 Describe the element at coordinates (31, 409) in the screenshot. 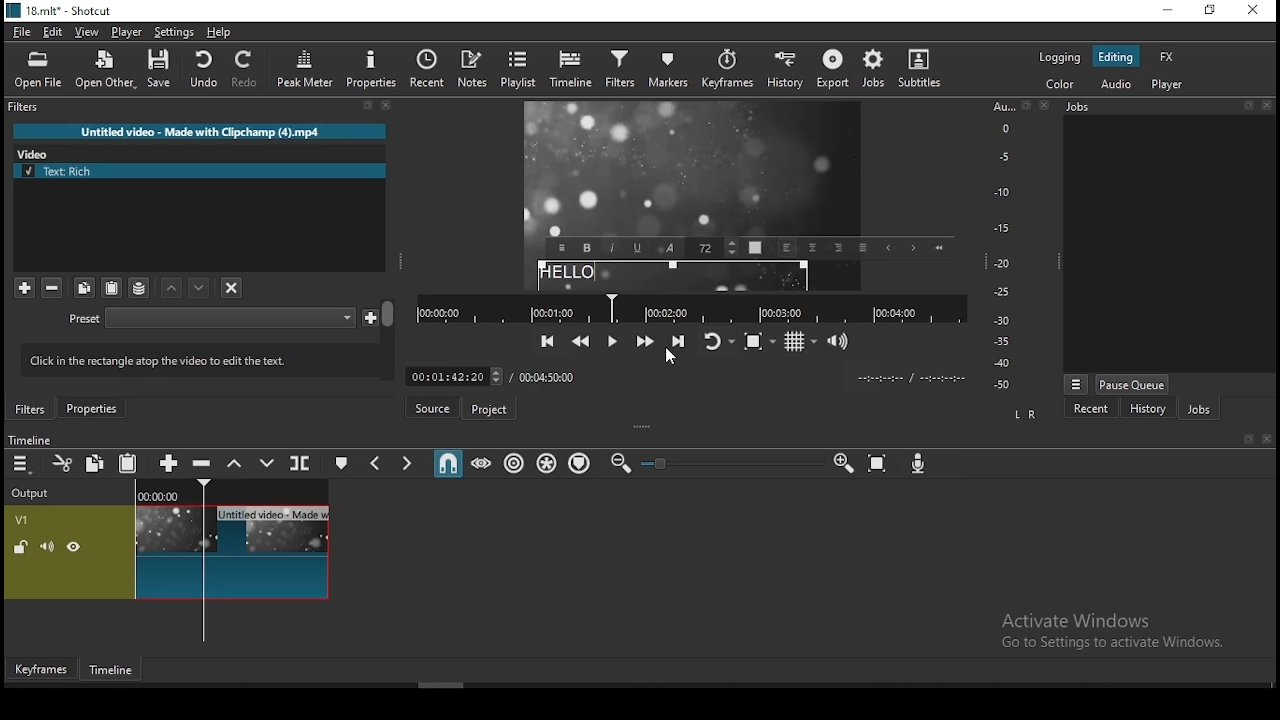

I see `filters` at that location.